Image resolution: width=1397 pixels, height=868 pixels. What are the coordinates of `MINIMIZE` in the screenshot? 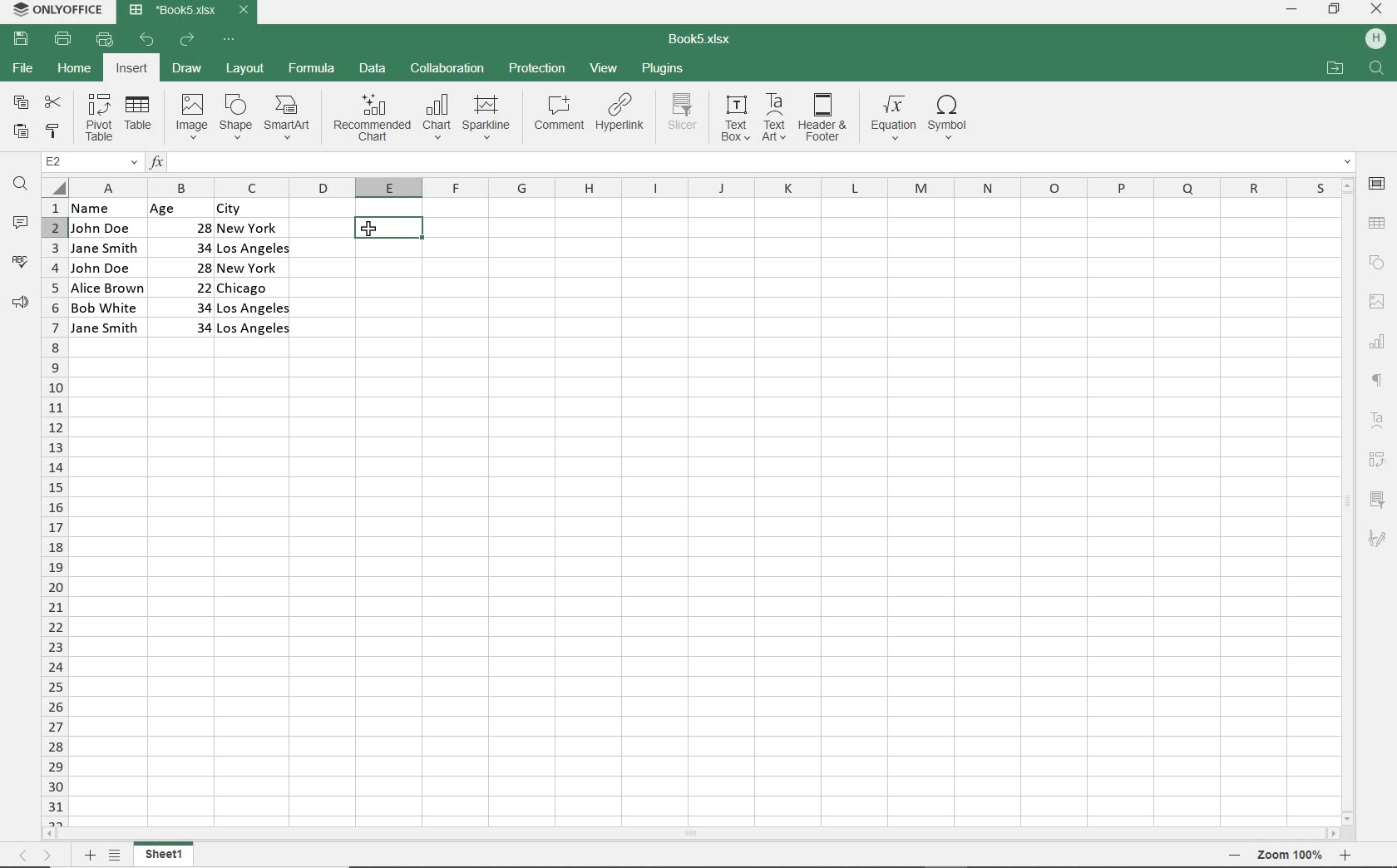 It's located at (1291, 10).